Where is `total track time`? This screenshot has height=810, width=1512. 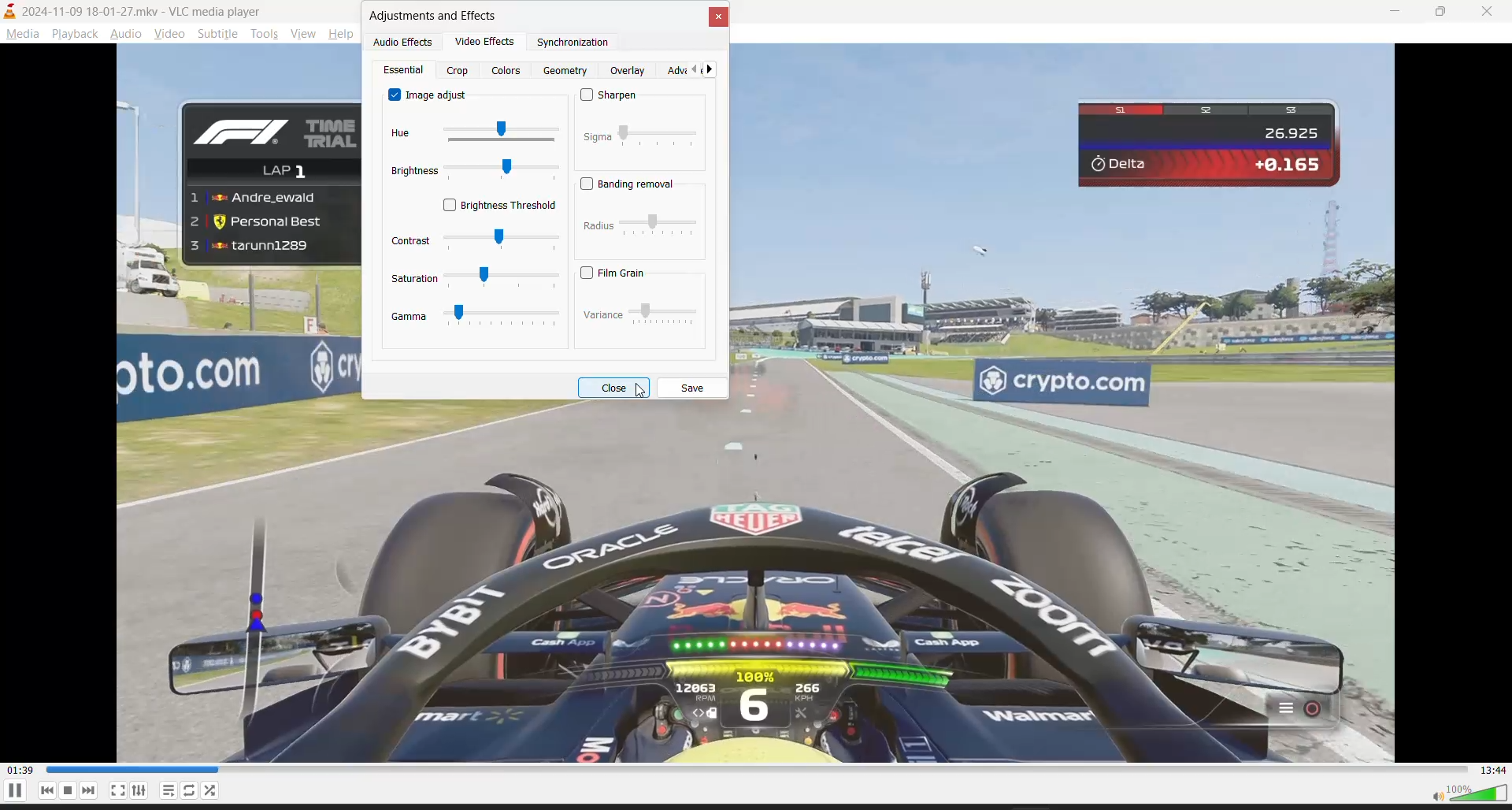 total track time is located at coordinates (1497, 771).